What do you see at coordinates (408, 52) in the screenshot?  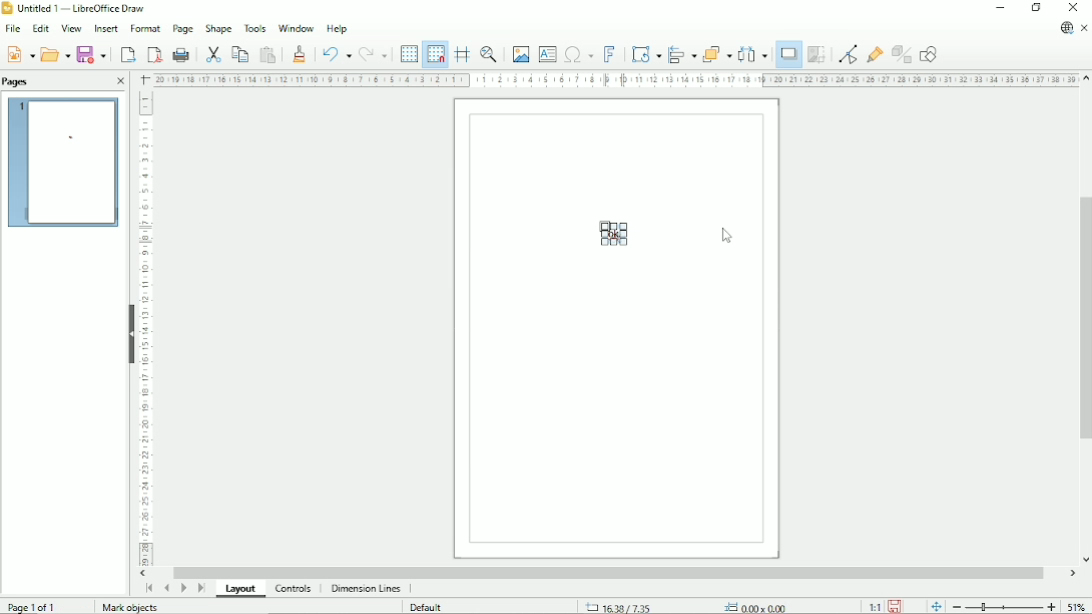 I see `Display grid` at bounding box center [408, 52].